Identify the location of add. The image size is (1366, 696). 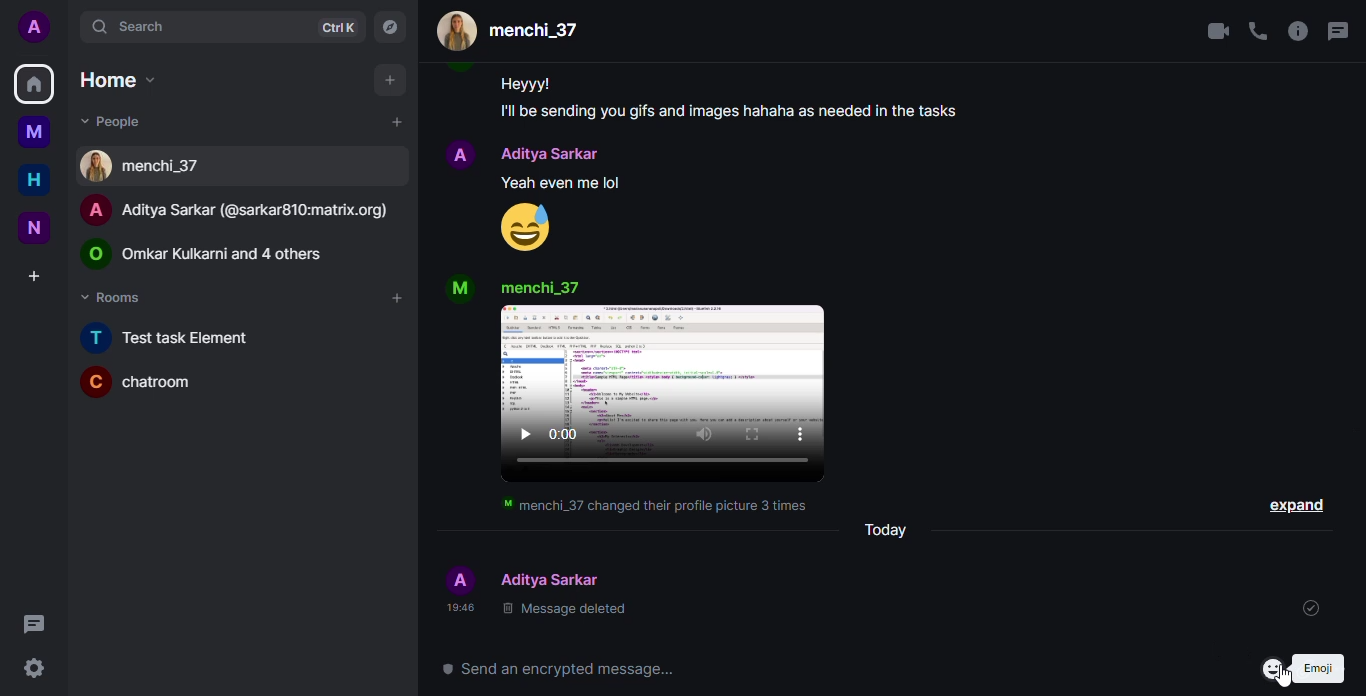
(385, 80).